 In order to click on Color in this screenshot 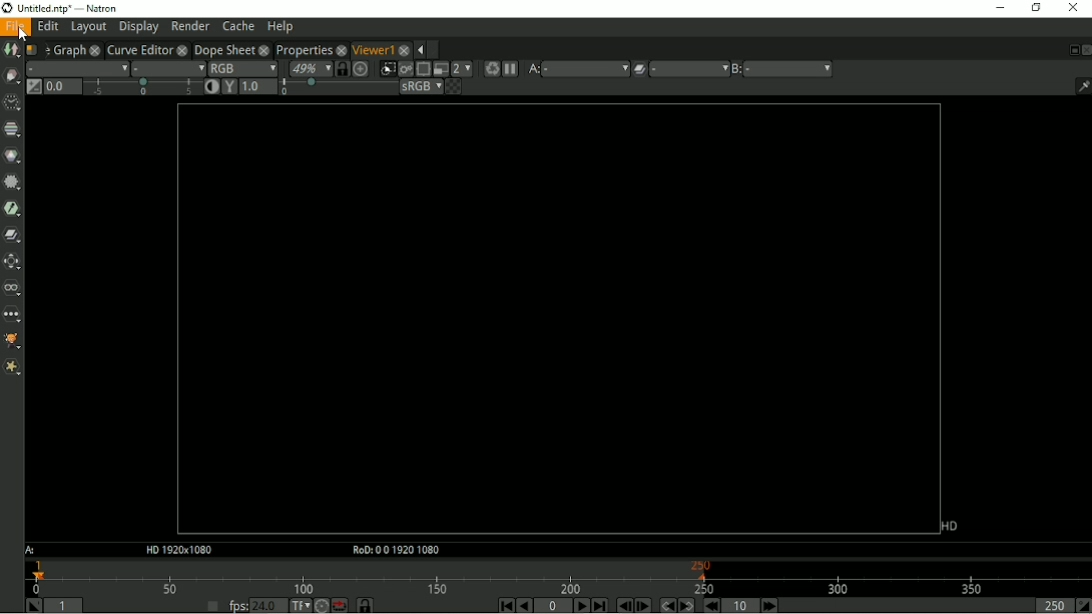, I will do `click(12, 155)`.